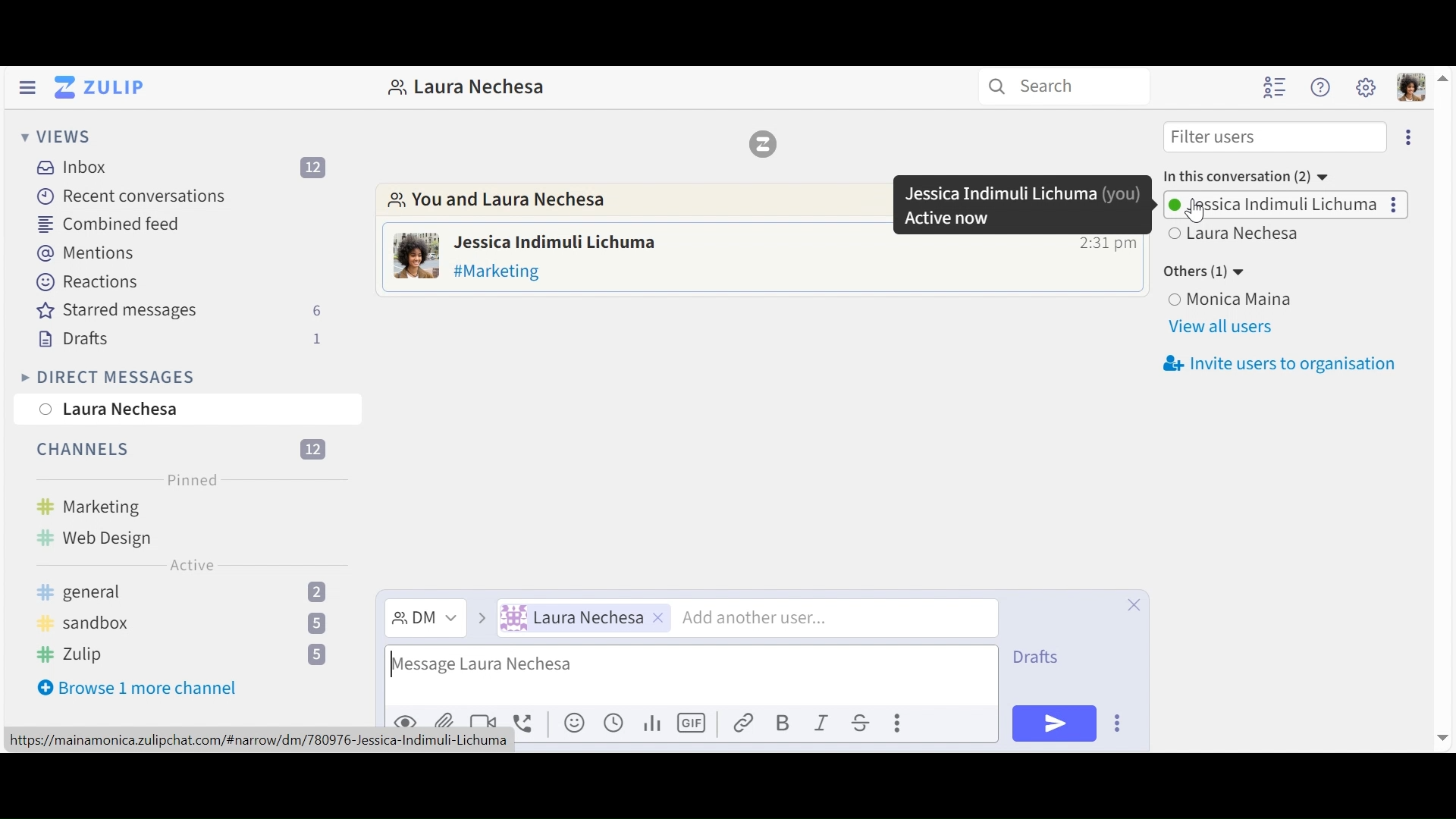 Image resolution: width=1456 pixels, height=819 pixels. I want to click on invite users to organisation, so click(1279, 364).